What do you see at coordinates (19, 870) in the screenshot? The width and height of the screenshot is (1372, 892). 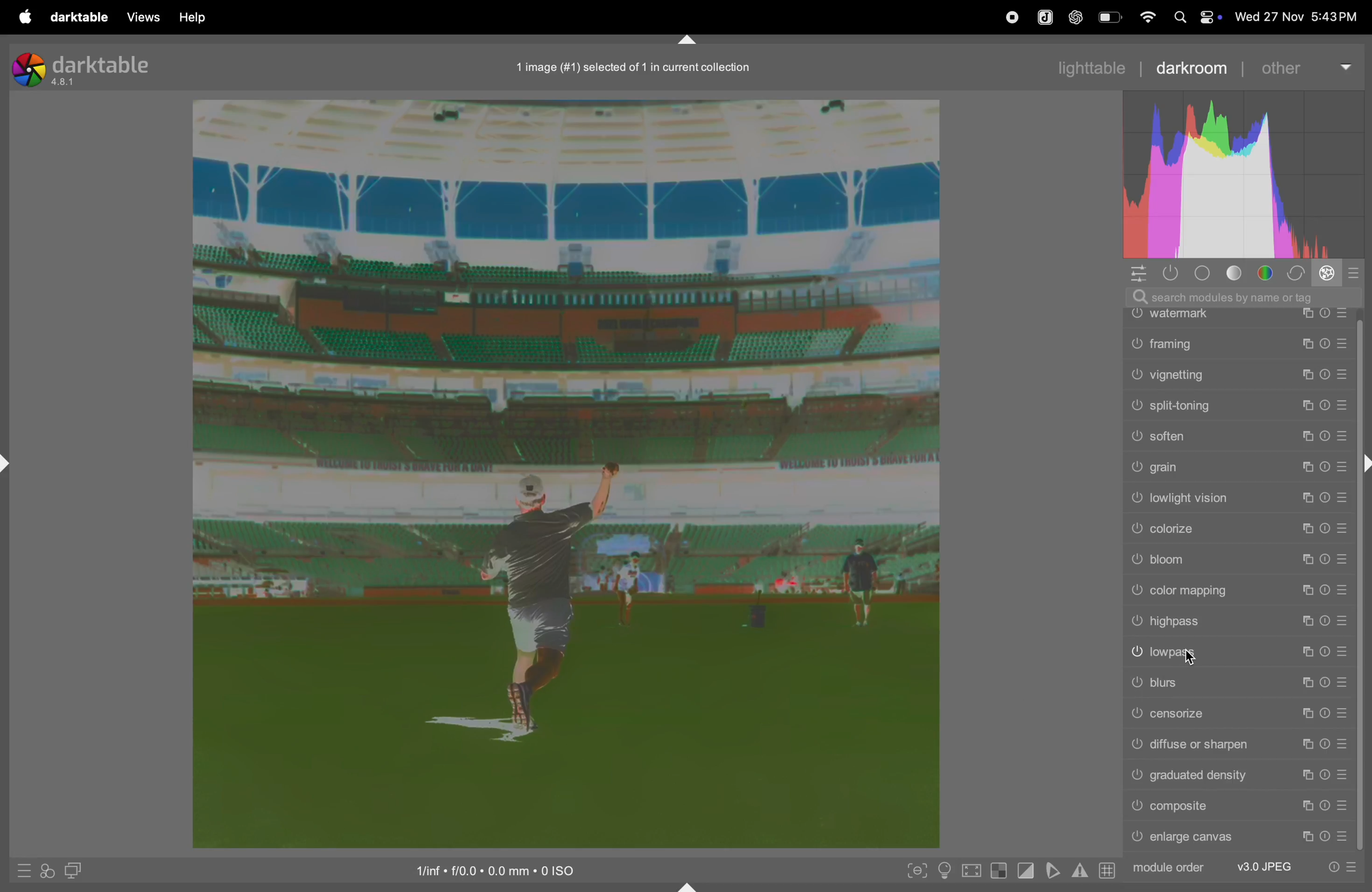 I see `quick acess to presets` at bounding box center [19, 870].